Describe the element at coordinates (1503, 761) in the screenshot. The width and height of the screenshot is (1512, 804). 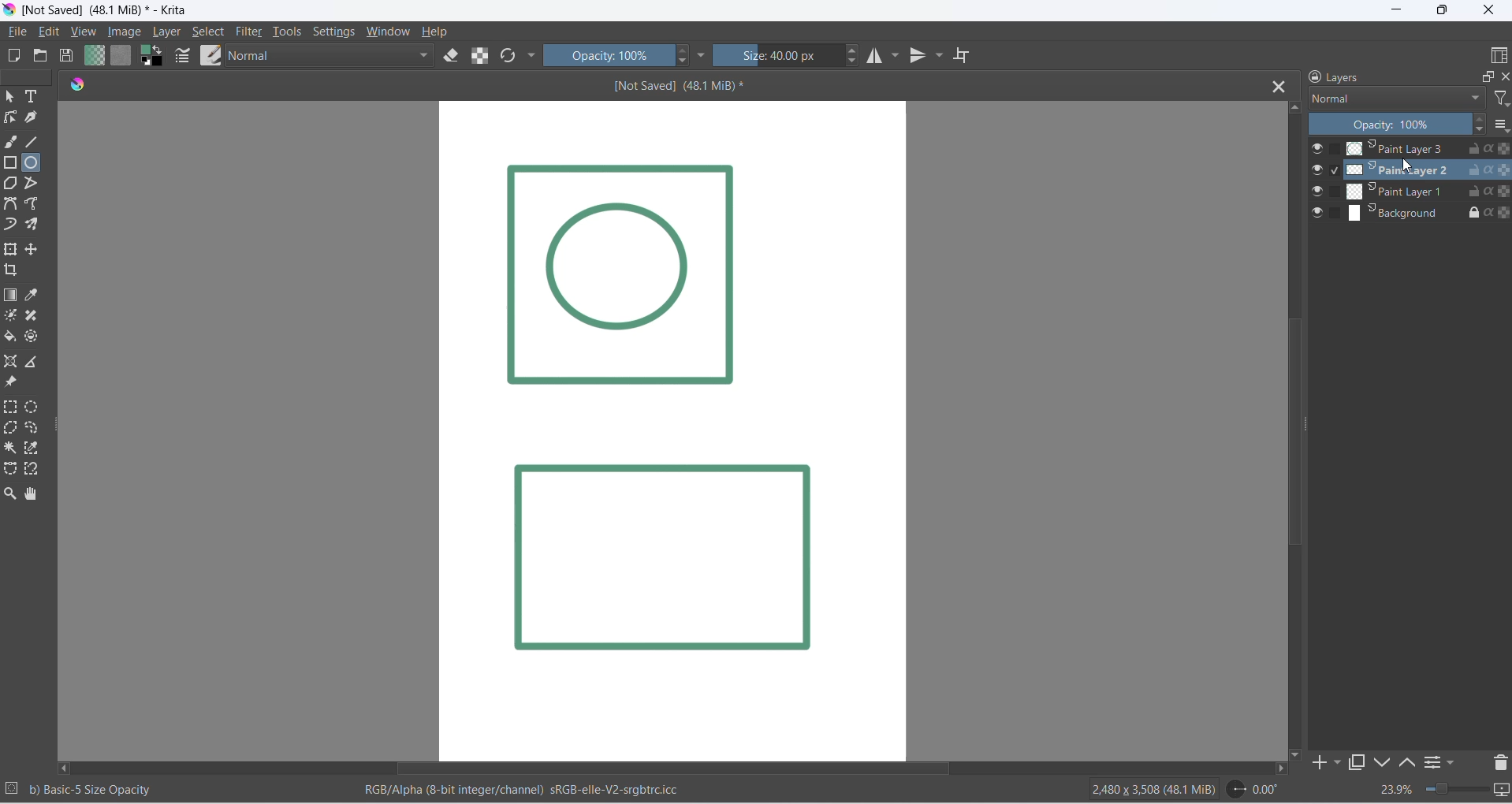
I see `delete` at that location.